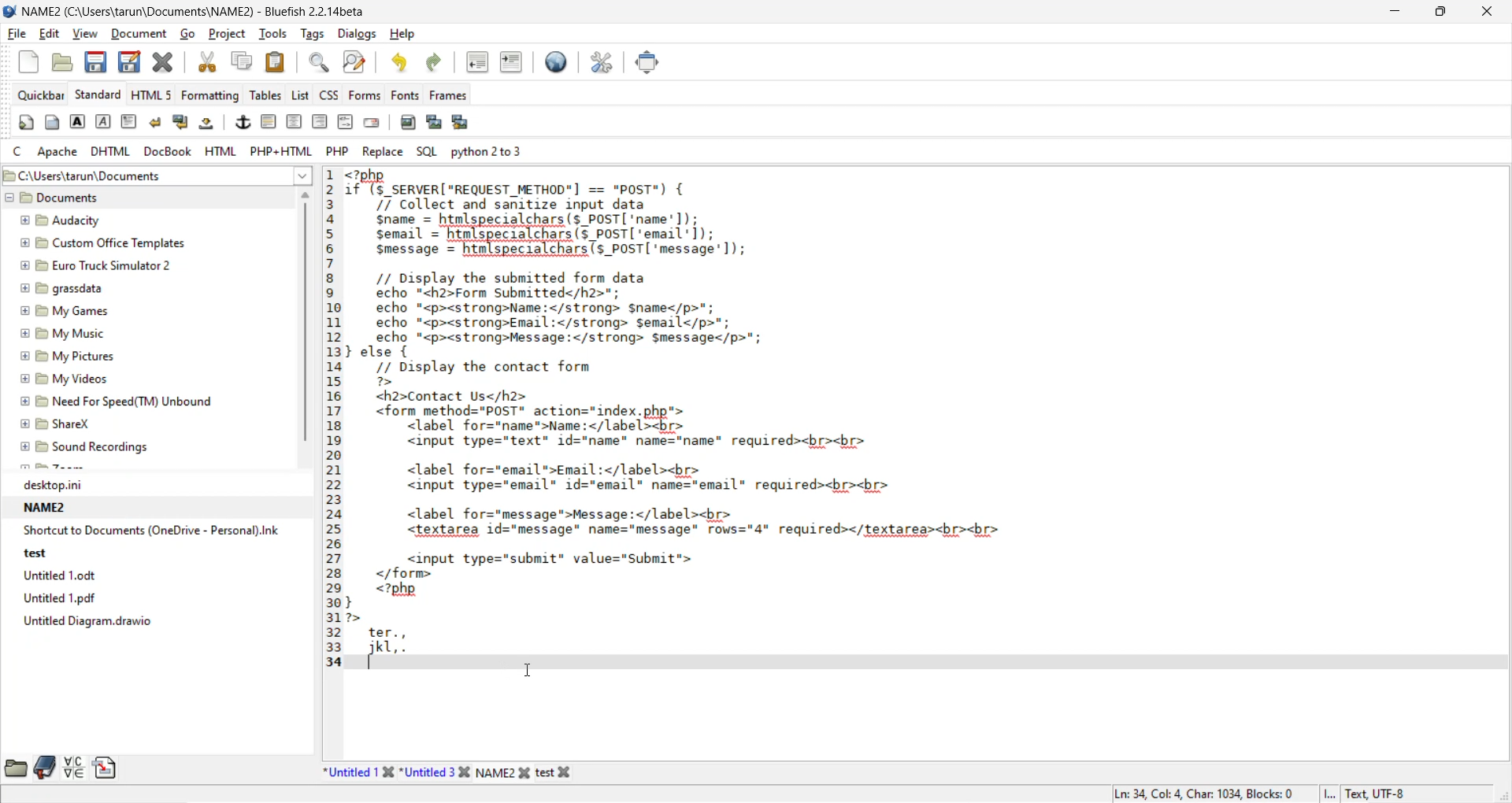  What do you see at coordinates (354, 62) in the screenshot?
I see `find and replace` at bounding box center [354, 62].